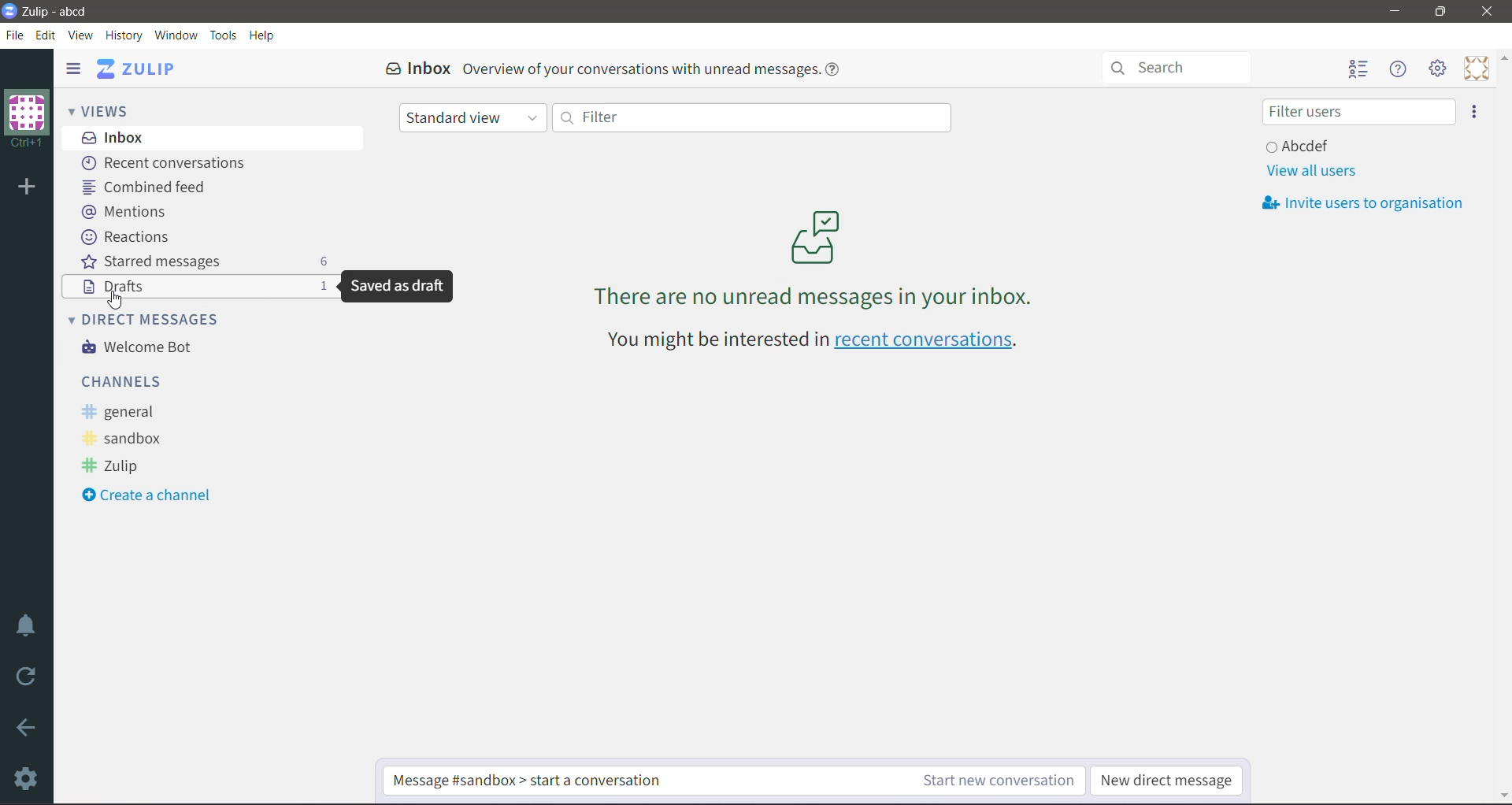 Image resolution: width=1512 pixels, height=805 pixels. What do you see at coordinates (1477, 69) in the screenshot?
I see `Personal Menu` at bounding box center [1477, 69].